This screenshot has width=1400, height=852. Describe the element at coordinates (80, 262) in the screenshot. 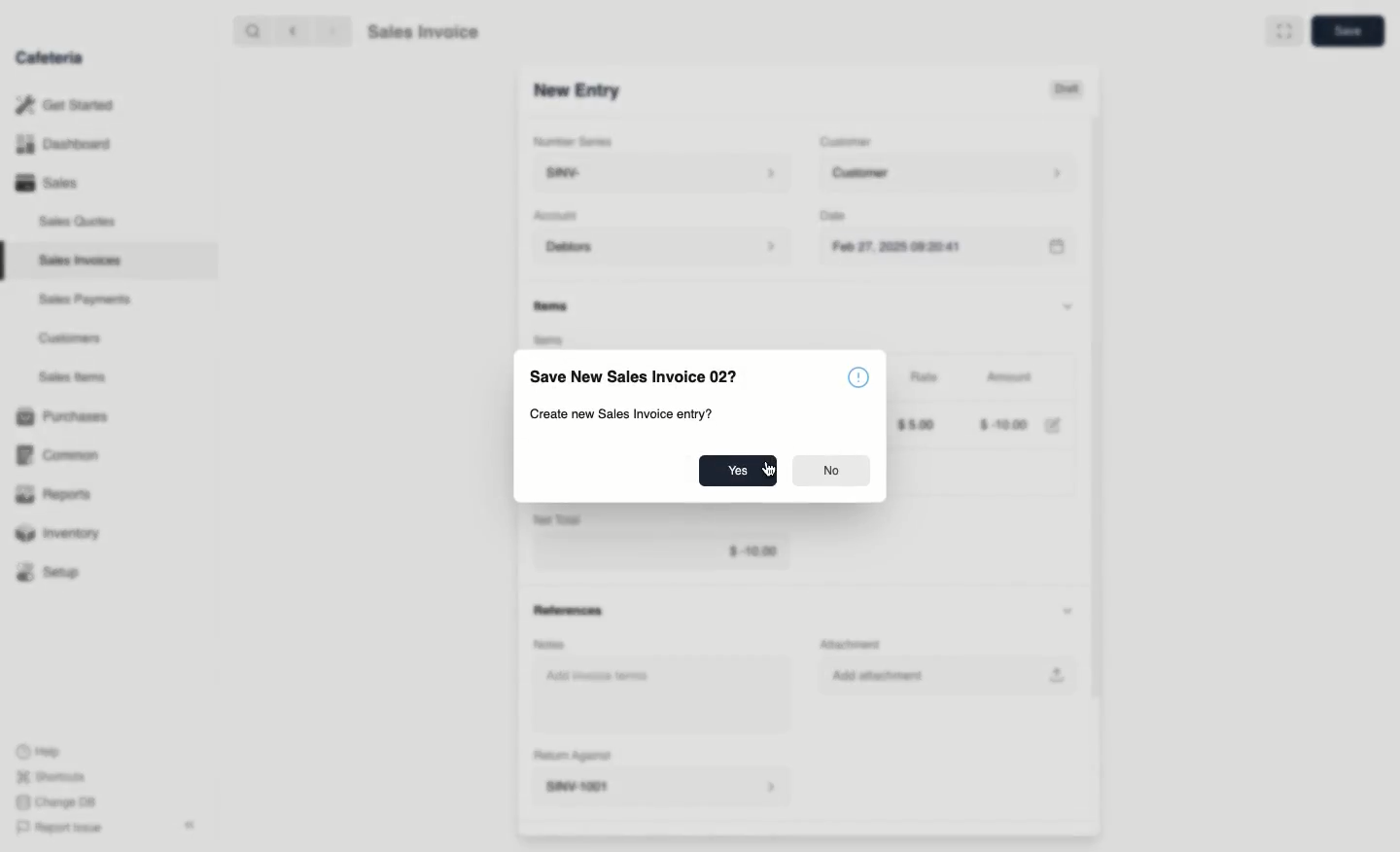

I see `Sales Invoices` at that location.